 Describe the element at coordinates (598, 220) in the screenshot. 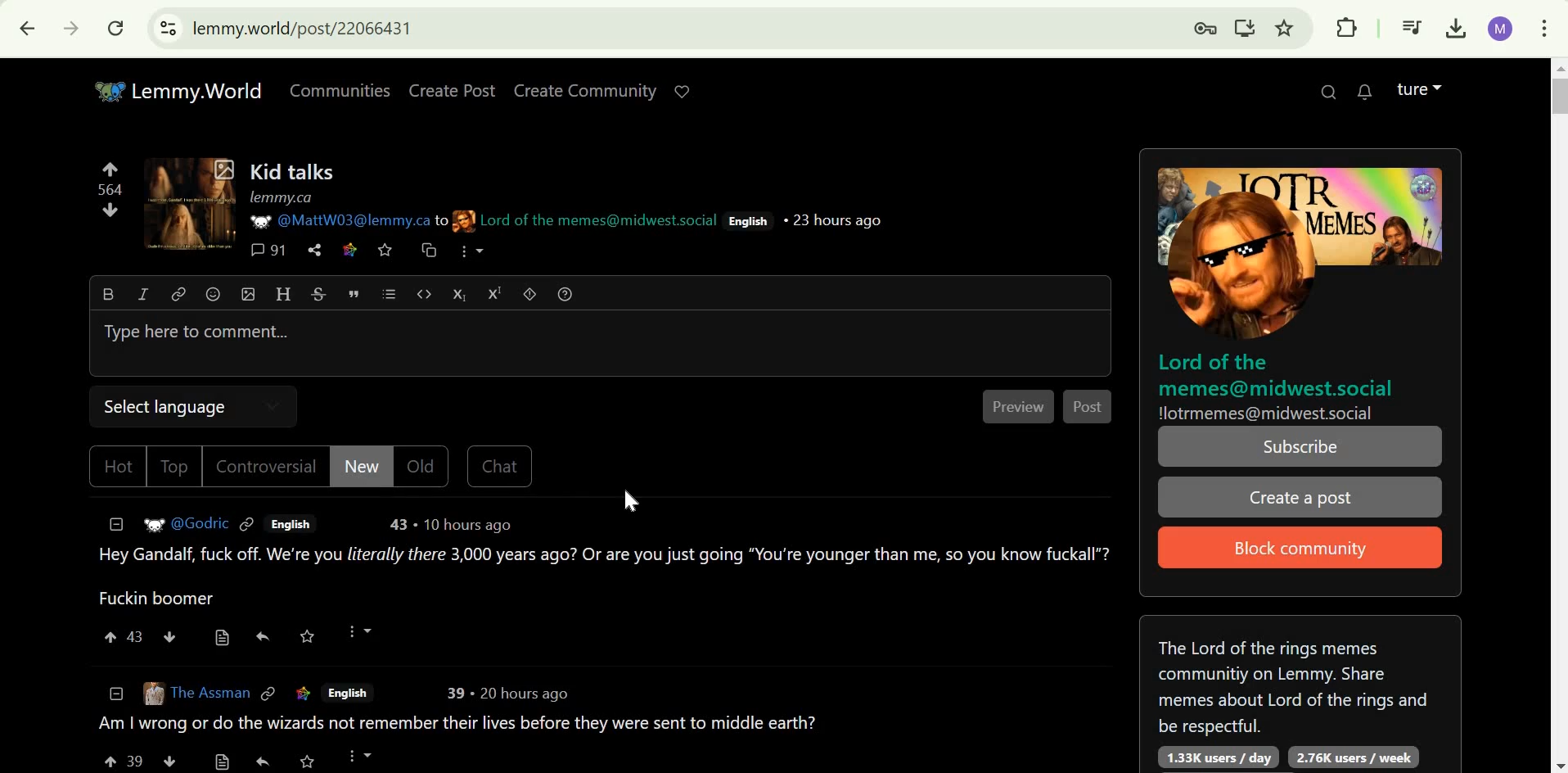

I see `Lord of the memes@midwest.social` at that location.